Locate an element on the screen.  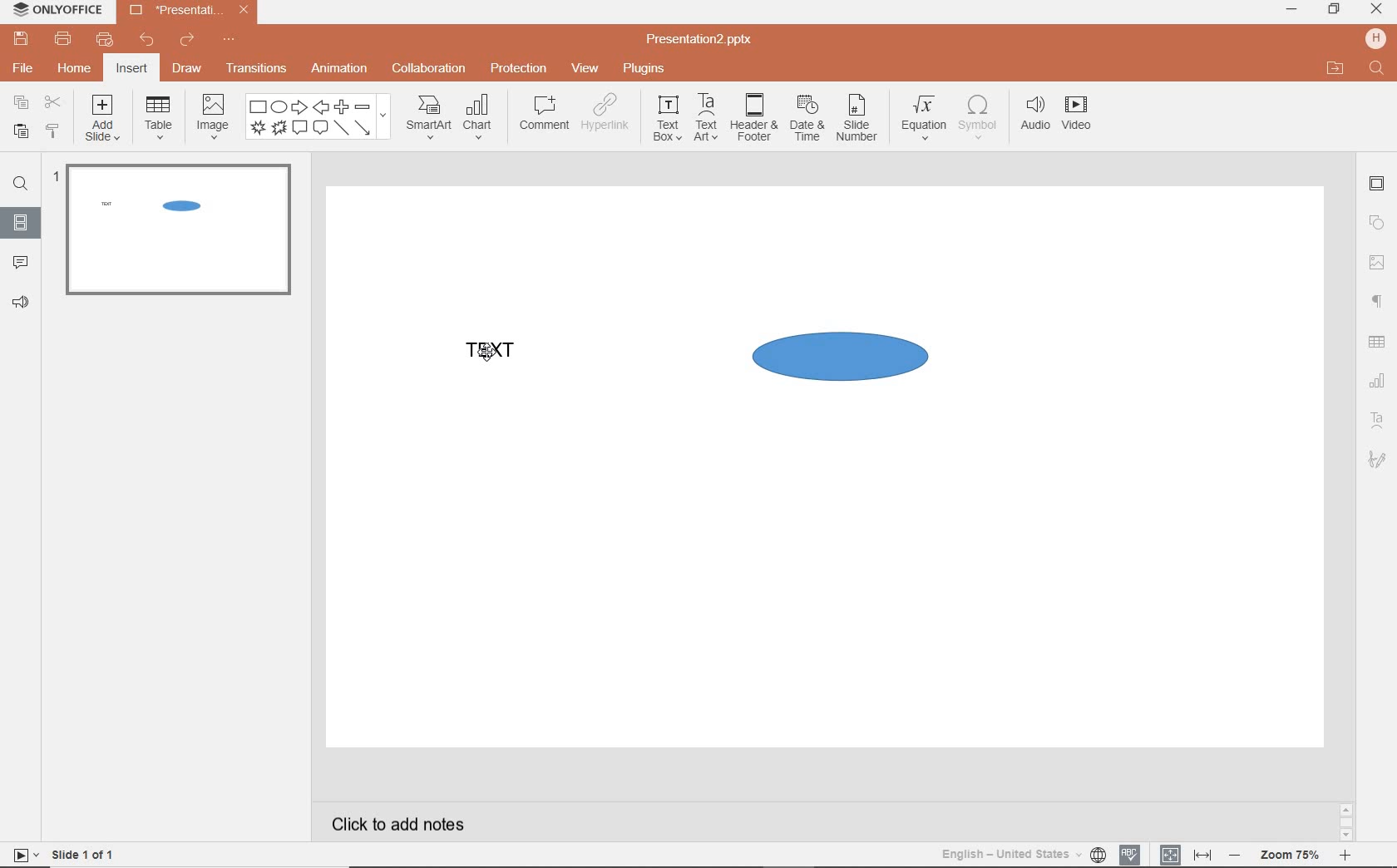
FIT TO SLIDE / FIT TO WIDTH is located at coordinates (1187, 853).